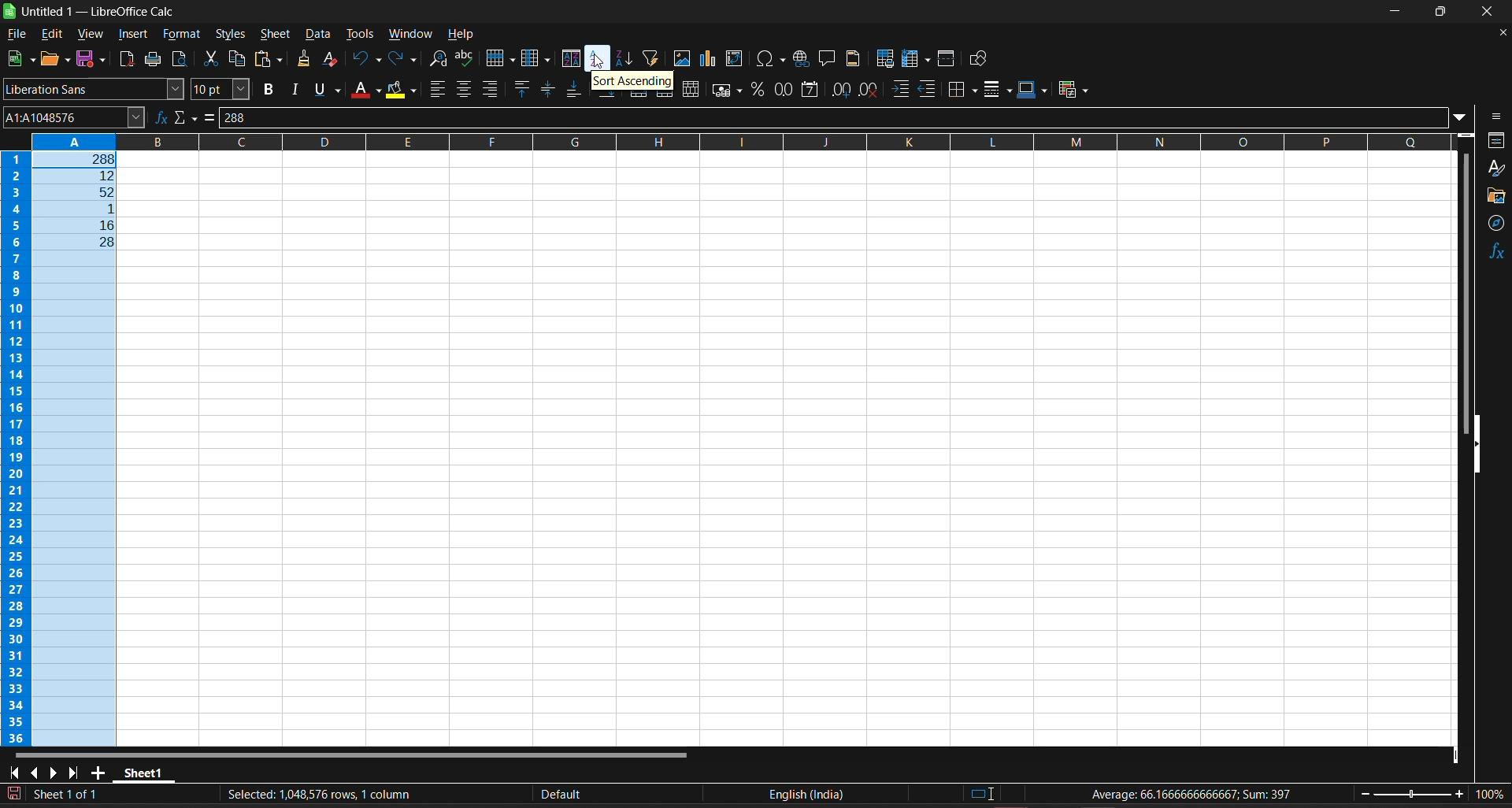 The height and width of the screenshot is (808, 1512). Describe the element at coordinates (238, 59) in the screenshot. I see `copy` at that location.